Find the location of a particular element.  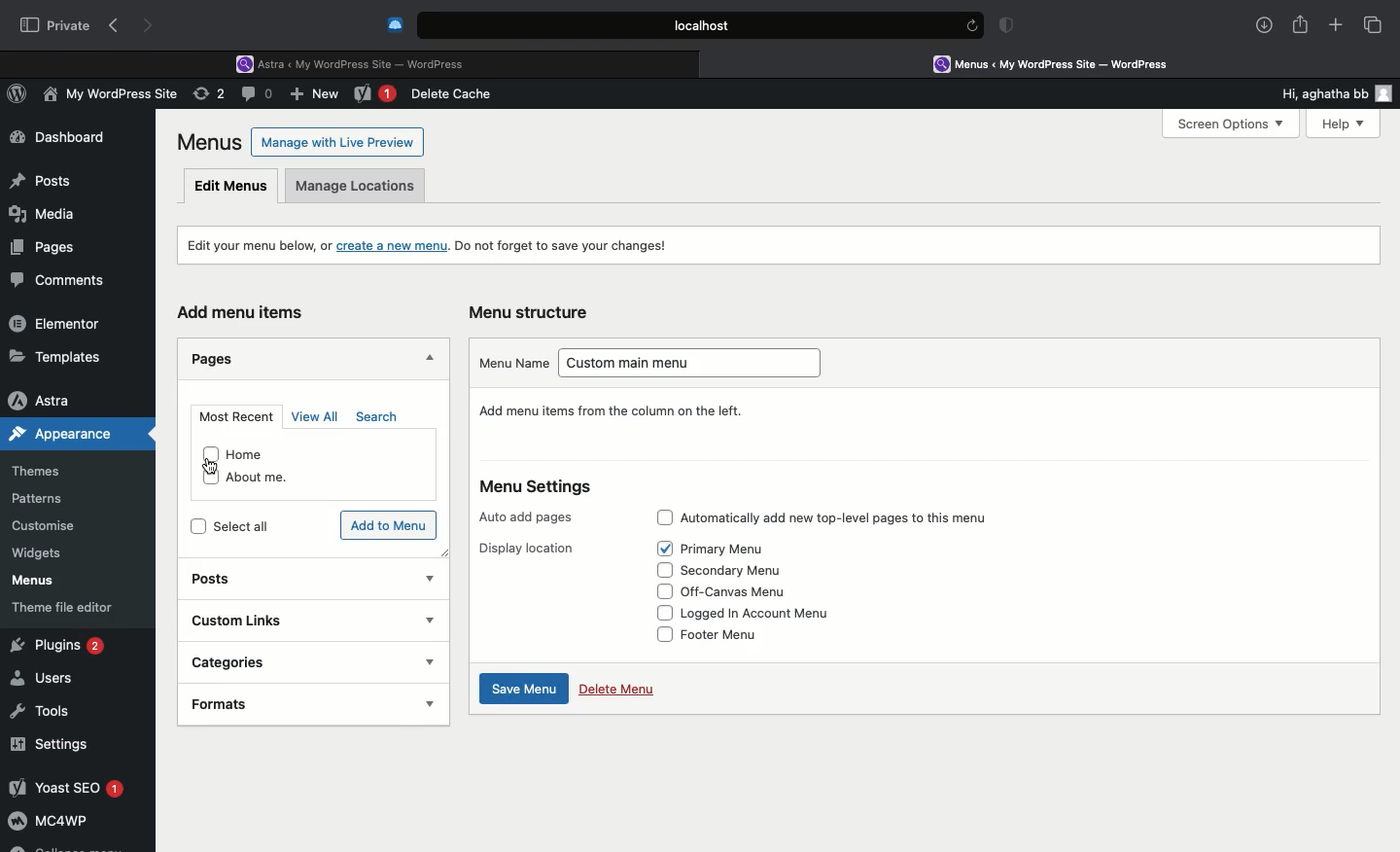

Search is located at coordinates (380, 417).